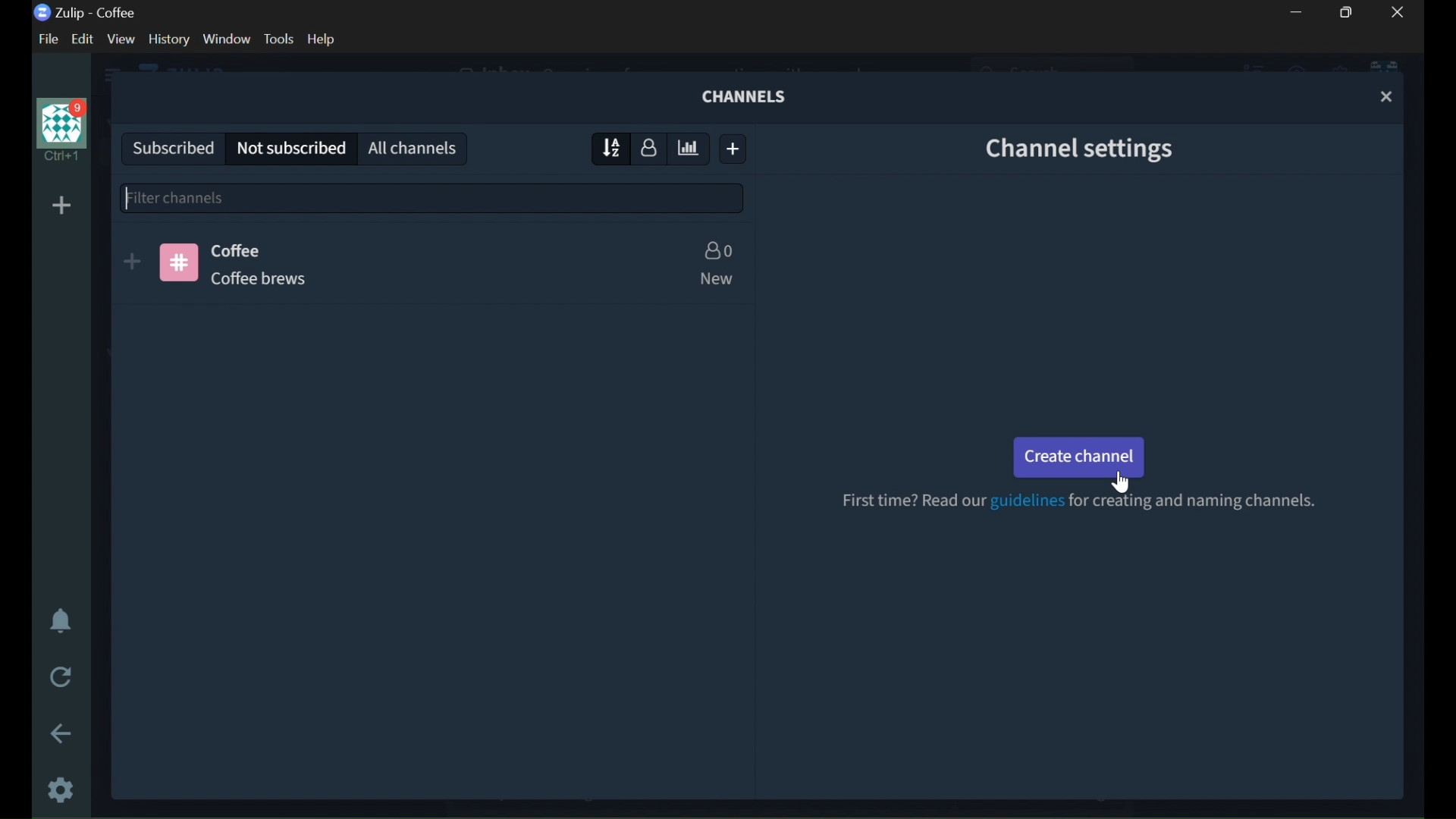 The image size is (1456, 819). Describe the element at coordinates (736, 149) in the screenshot. I see `CREATE NEW CHANNEL` at that location.